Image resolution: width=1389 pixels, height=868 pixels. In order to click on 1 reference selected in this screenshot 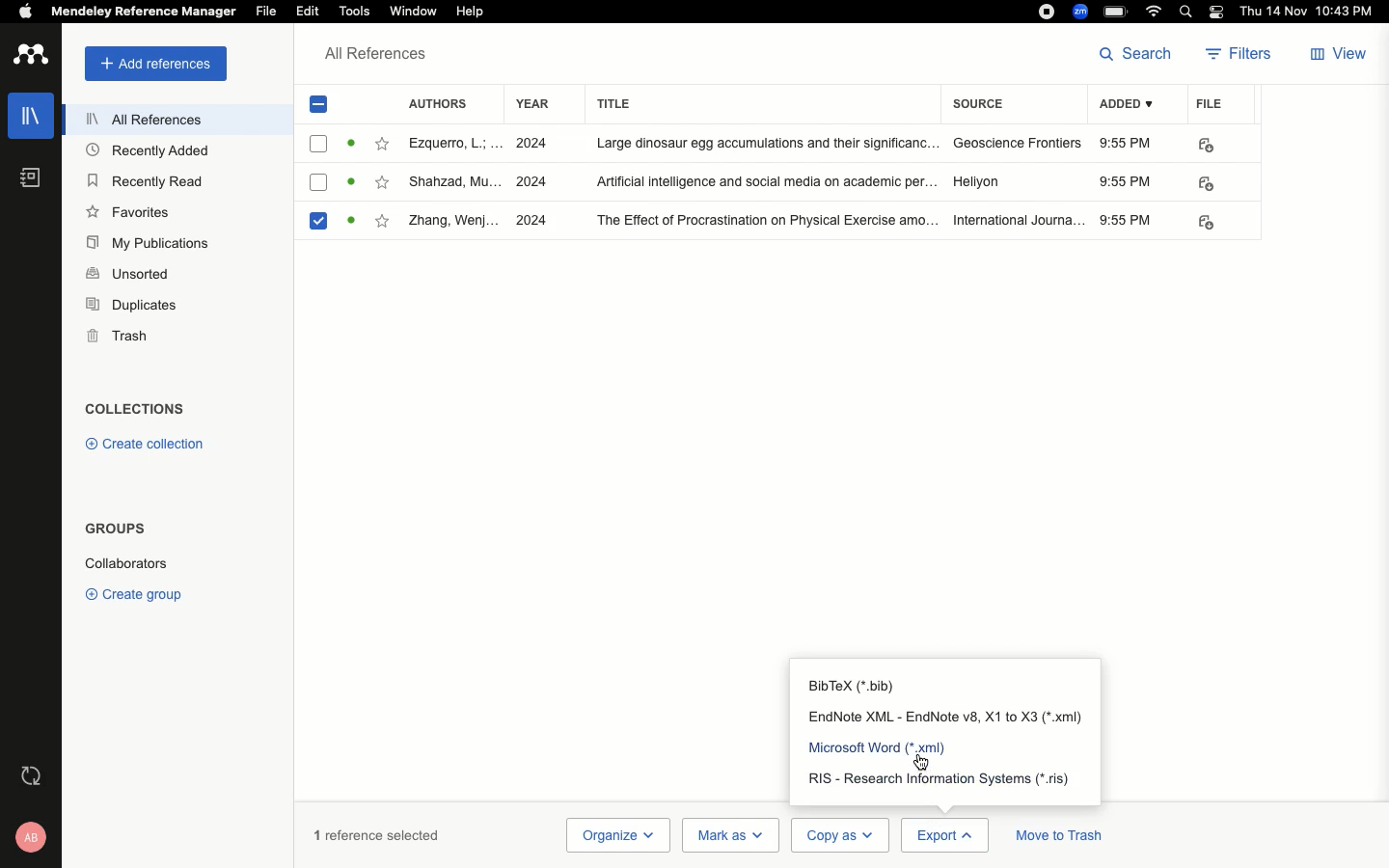, I will do `click(377, 834)`.